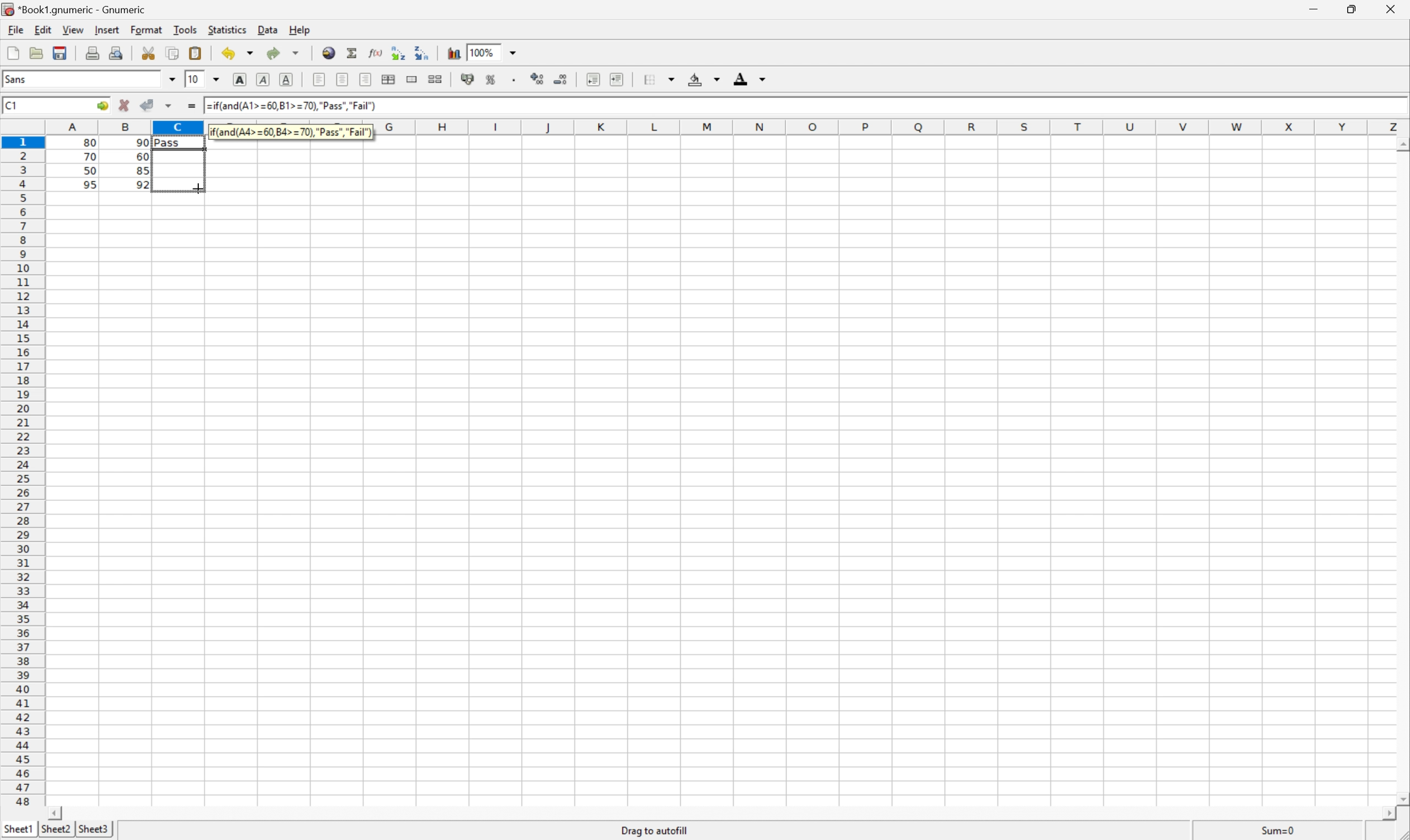 Image resolution: width=1410 pixels, height=840 pixels. Describe the element at coordinates (170, 106) in the screenshot. I see `Accept changes in multiple changes` at that location.